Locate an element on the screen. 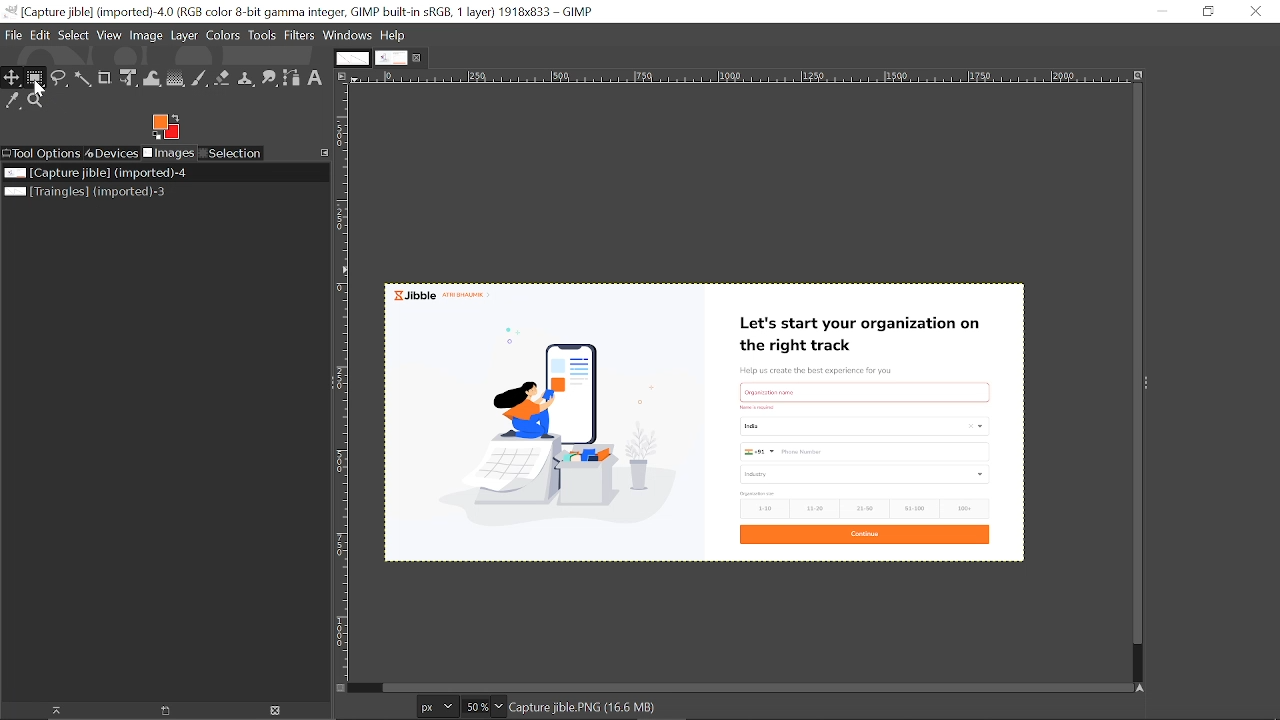  Current image is located at coordinates (705, 422).